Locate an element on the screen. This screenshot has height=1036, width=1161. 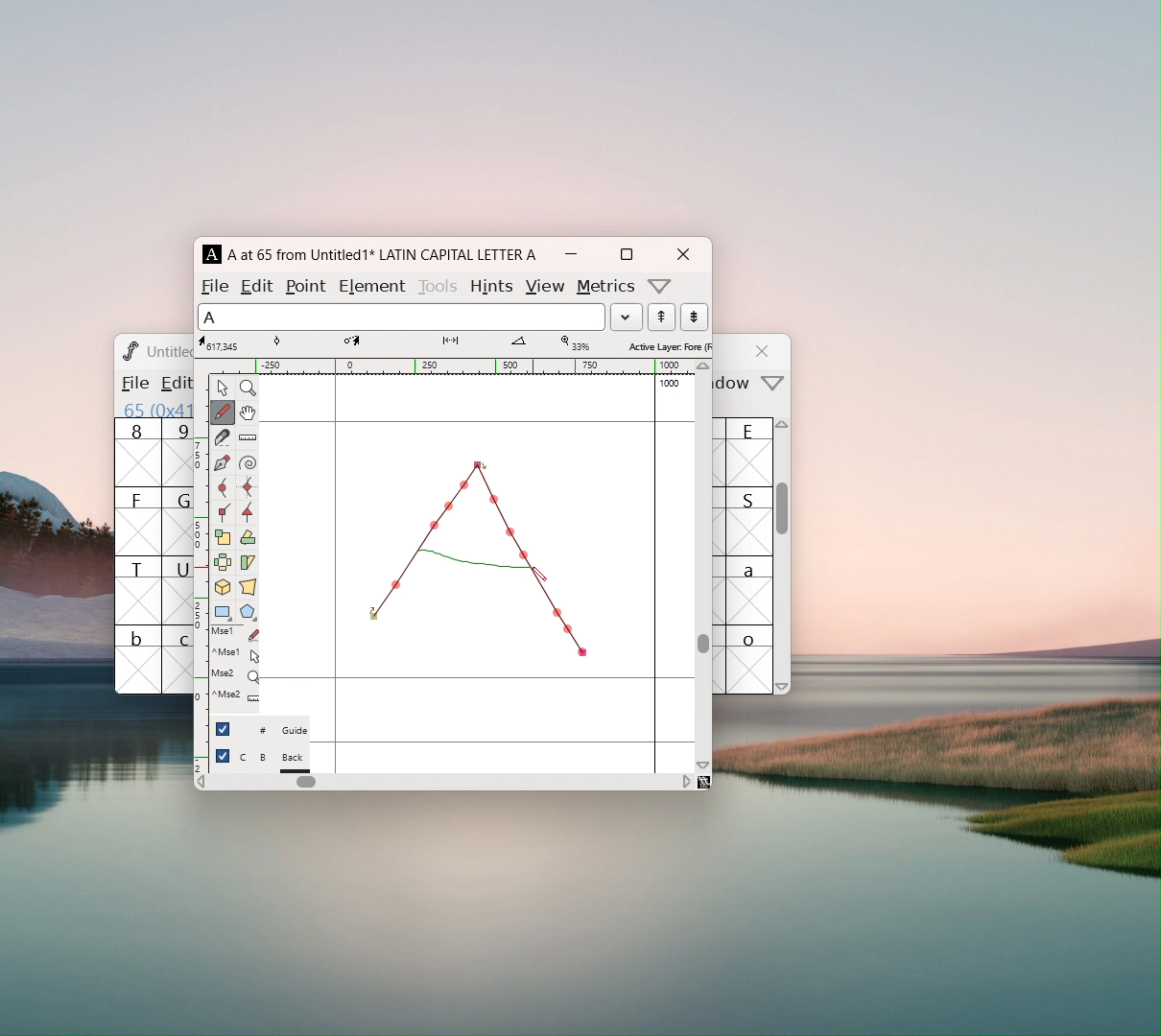
show the next word in the wordlist is located at coordinates (661, 318).